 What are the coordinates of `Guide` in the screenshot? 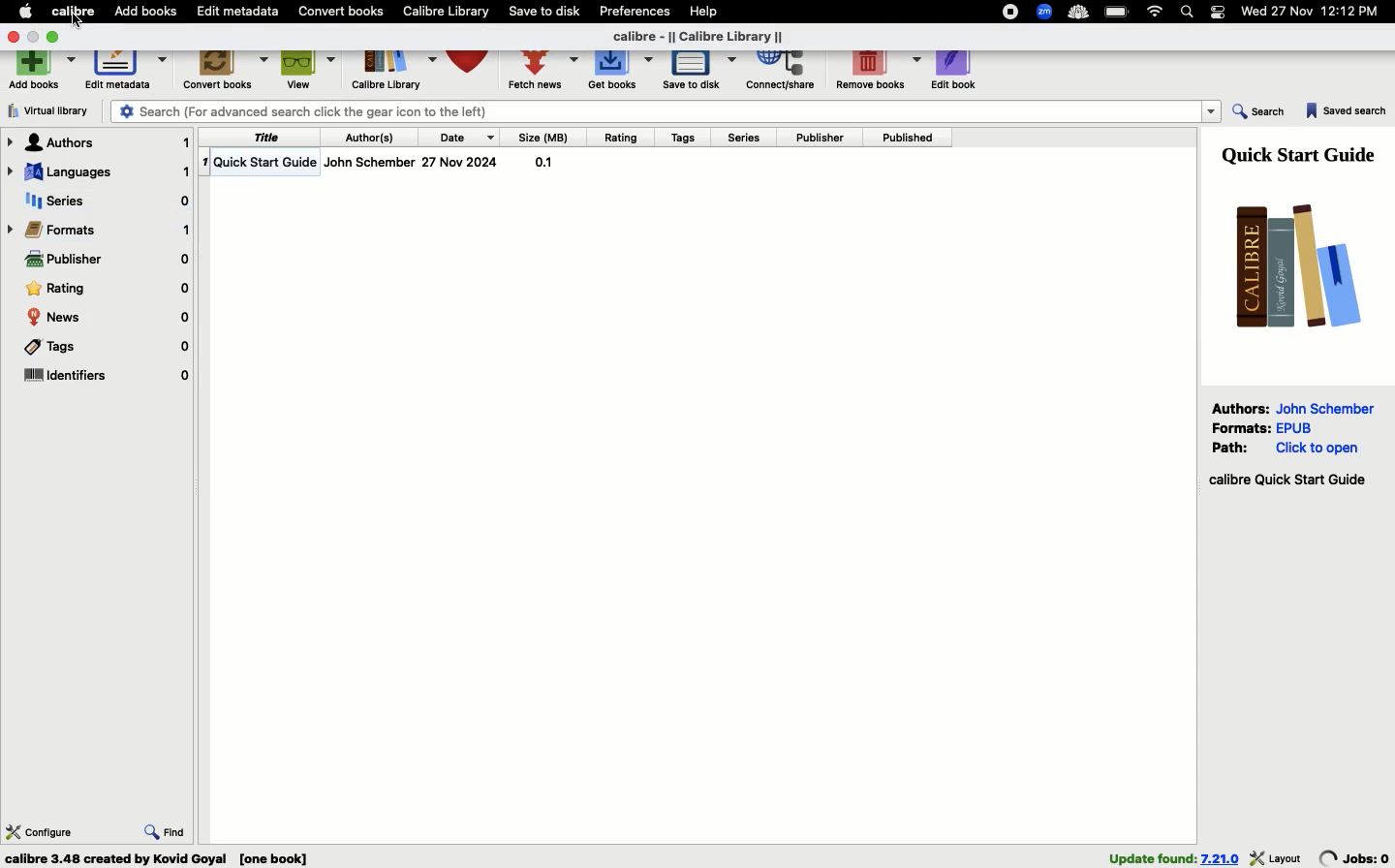 It's located at (1303, 153).